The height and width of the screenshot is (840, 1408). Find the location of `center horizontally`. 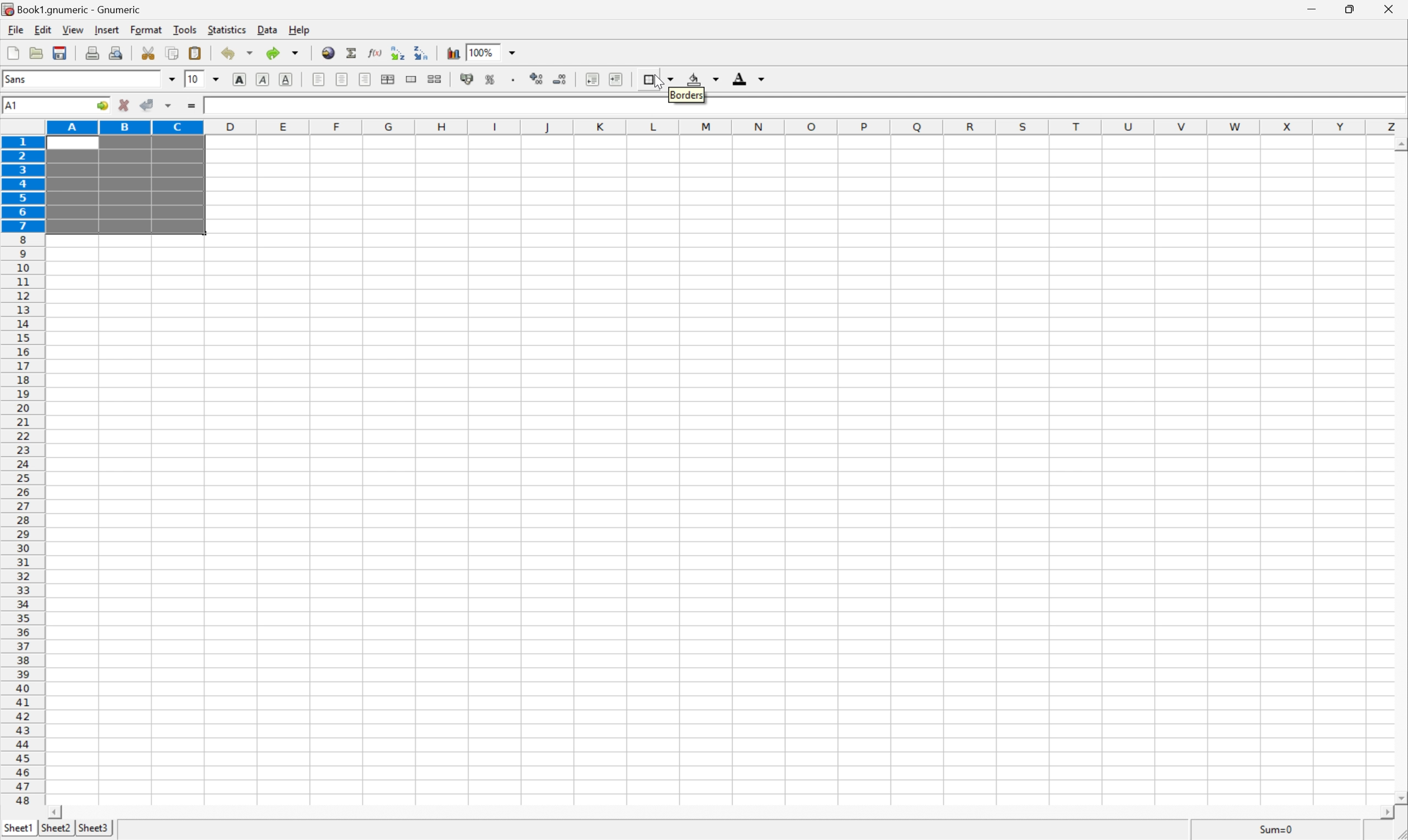

center horizontally is located at coordinates (390, 79).